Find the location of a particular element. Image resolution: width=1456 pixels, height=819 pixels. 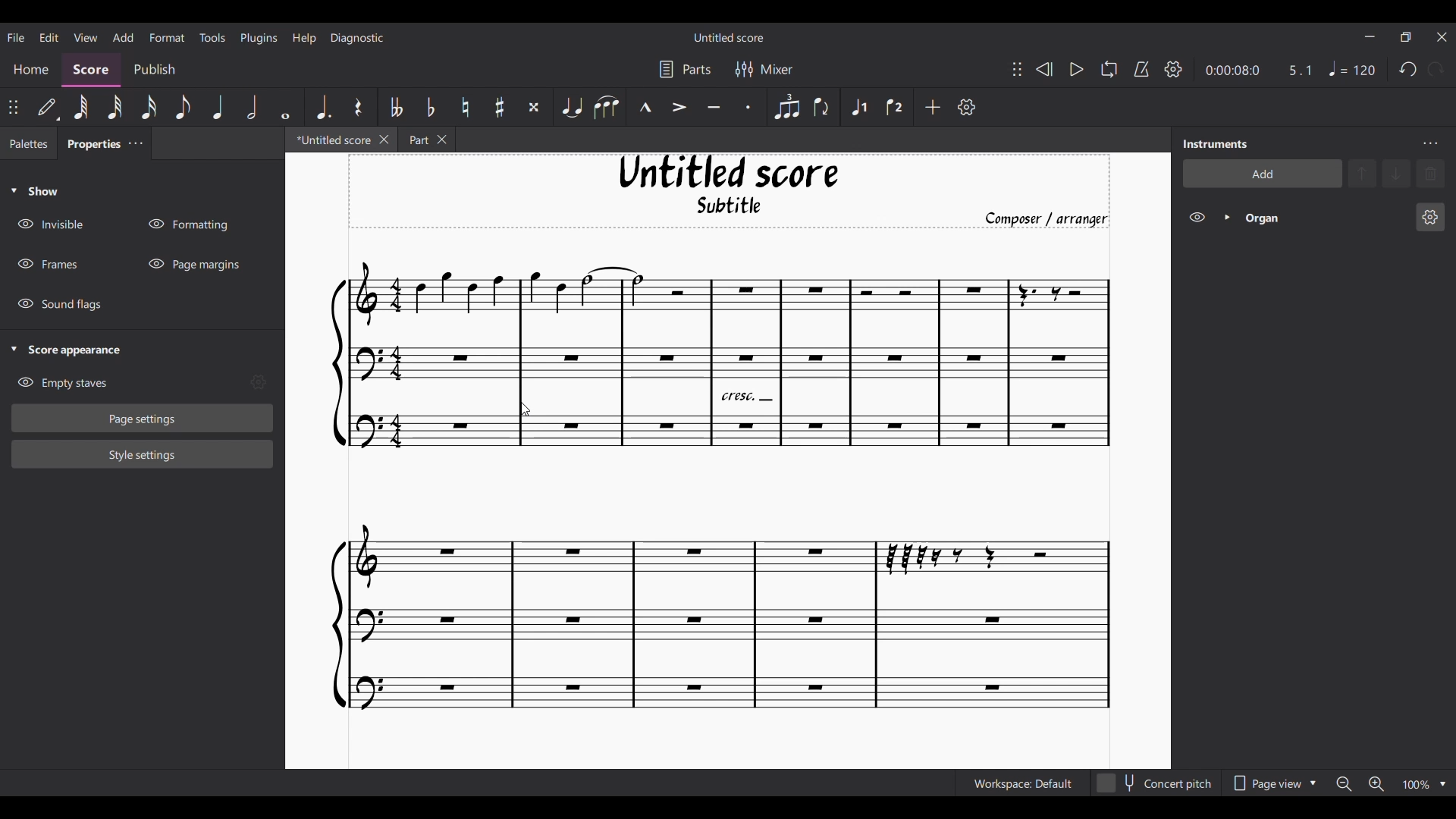

Marcato is located at coordinates (645, 108).